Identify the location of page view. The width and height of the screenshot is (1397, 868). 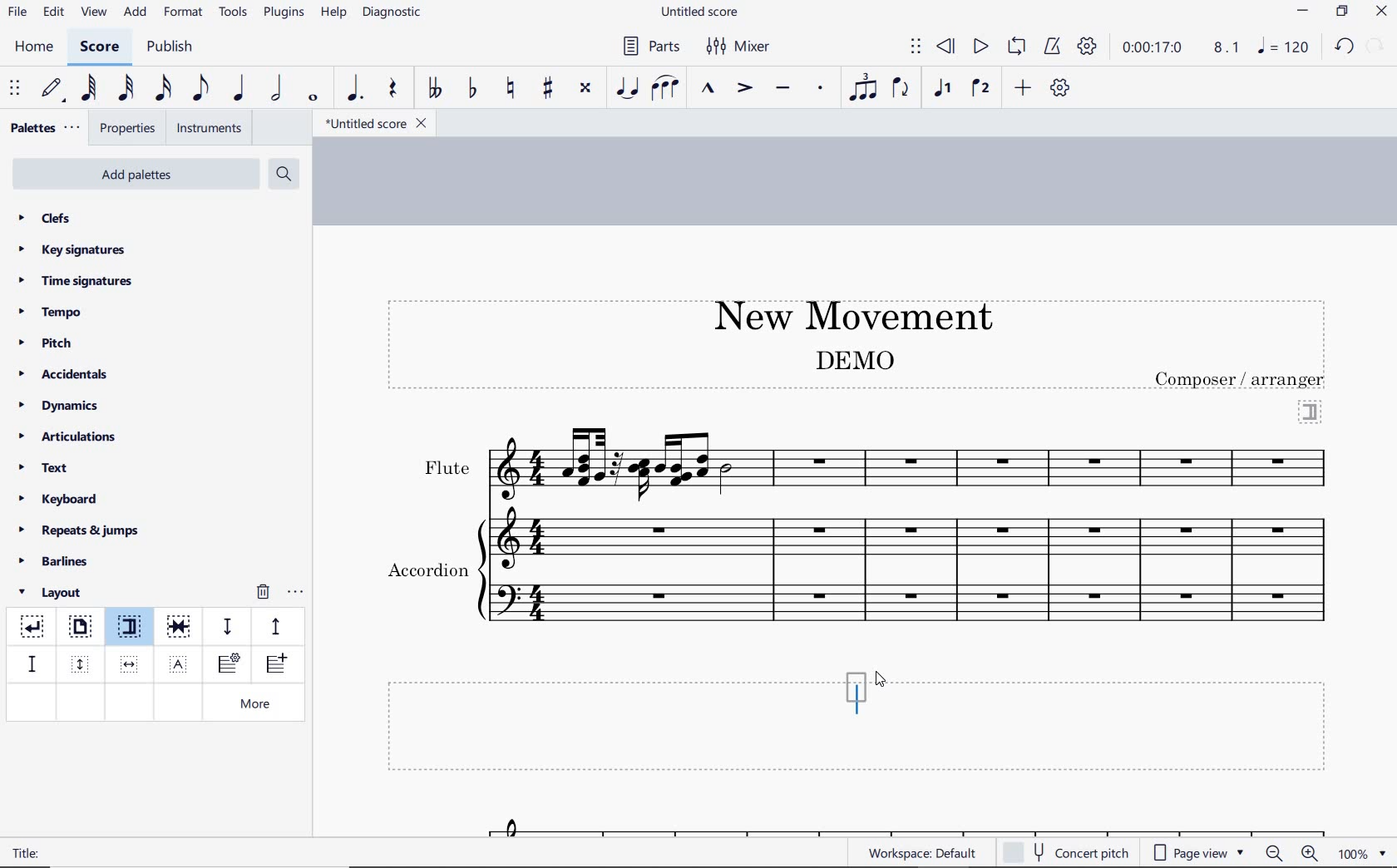
(1199, 853).